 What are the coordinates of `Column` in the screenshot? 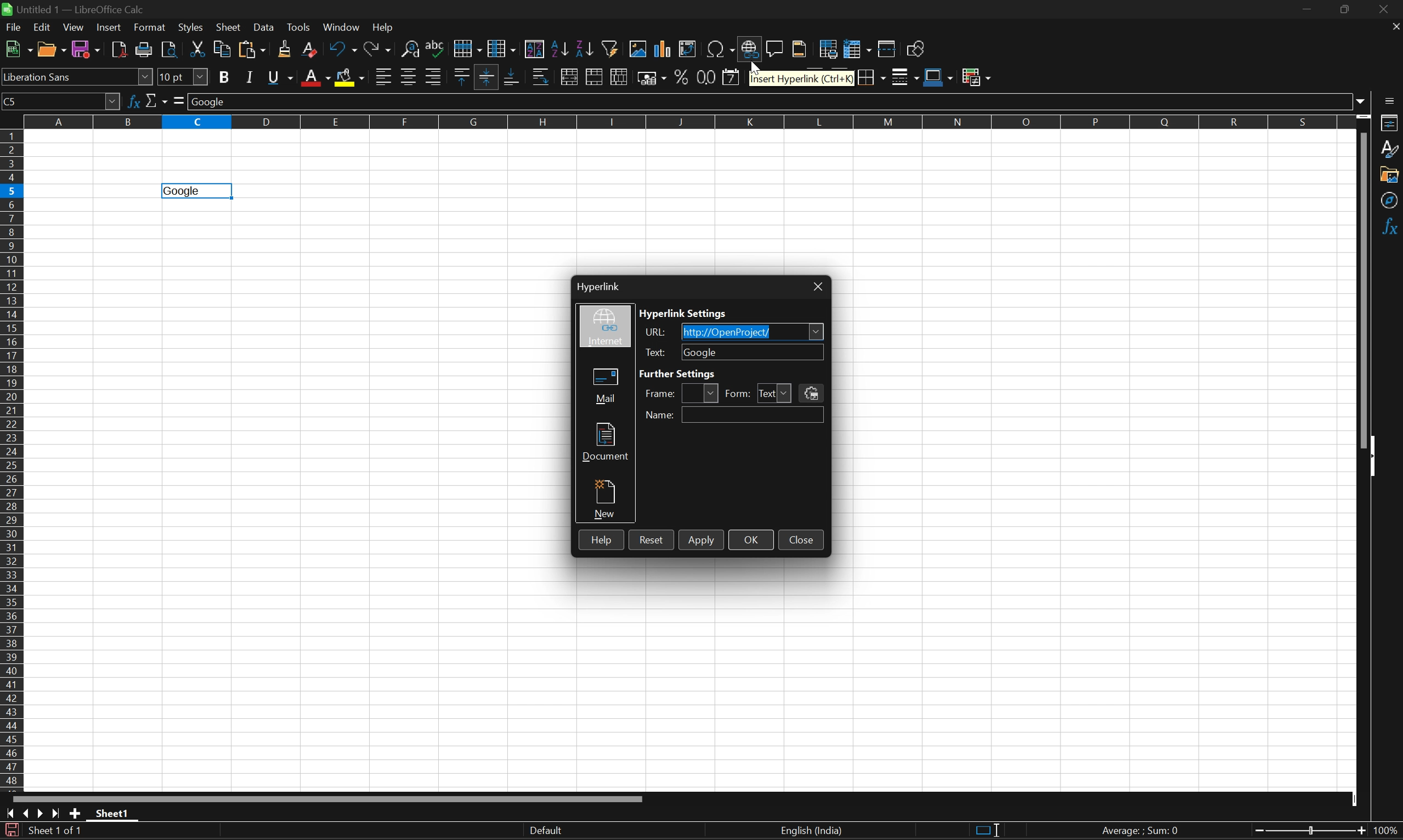 It's located at (503, 46).